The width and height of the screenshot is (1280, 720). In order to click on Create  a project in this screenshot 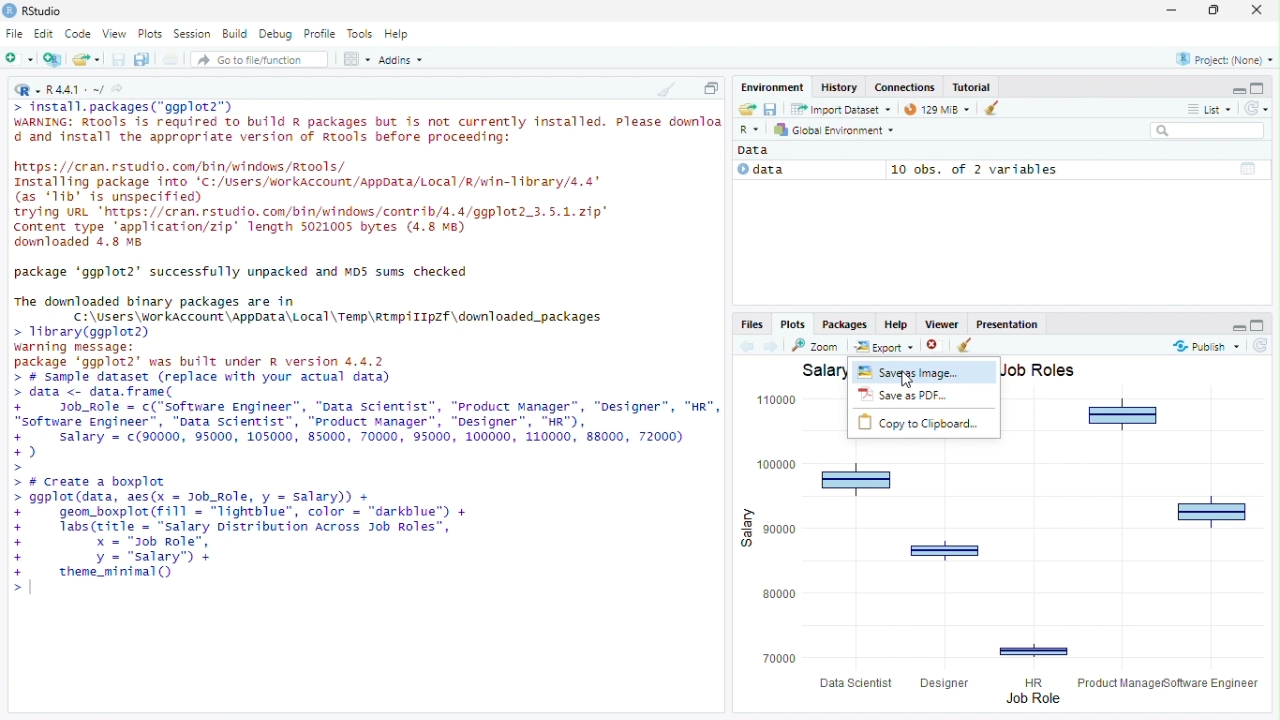, I will do `click(54, 59)`.